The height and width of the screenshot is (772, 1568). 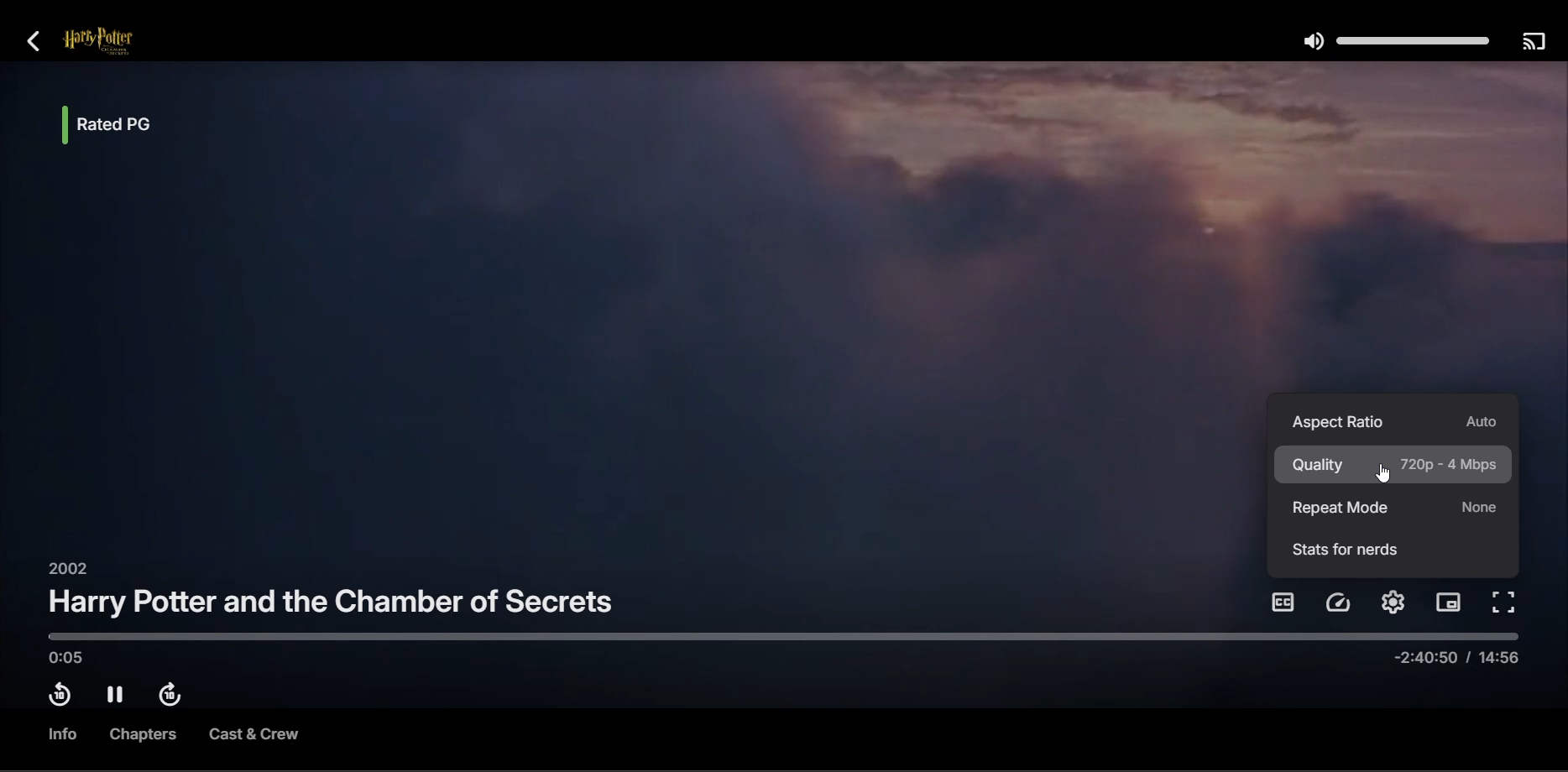 I want to click on cursor, so click(x=1382, y=473).